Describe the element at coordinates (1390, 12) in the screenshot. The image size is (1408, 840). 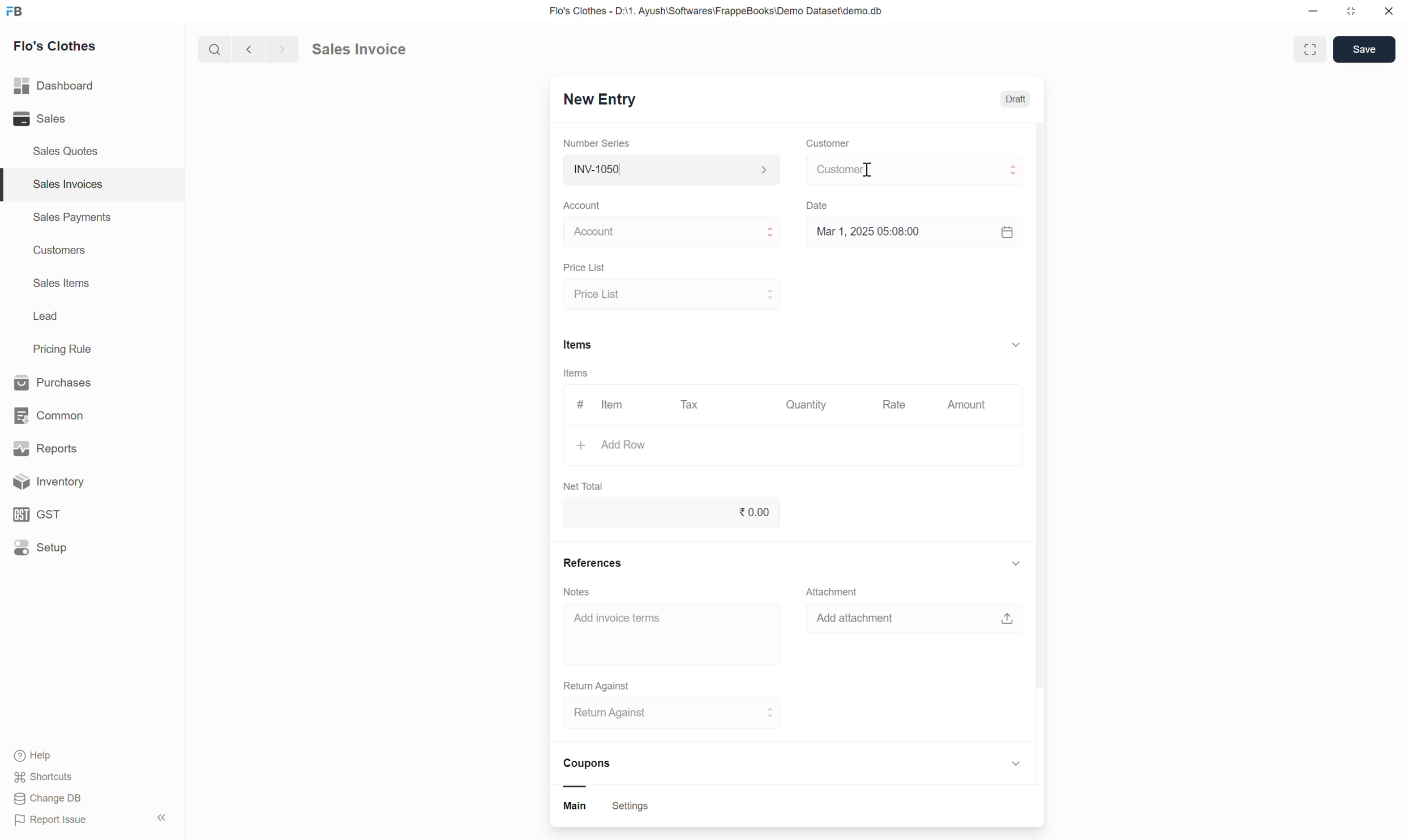
I see `close ` at that location.